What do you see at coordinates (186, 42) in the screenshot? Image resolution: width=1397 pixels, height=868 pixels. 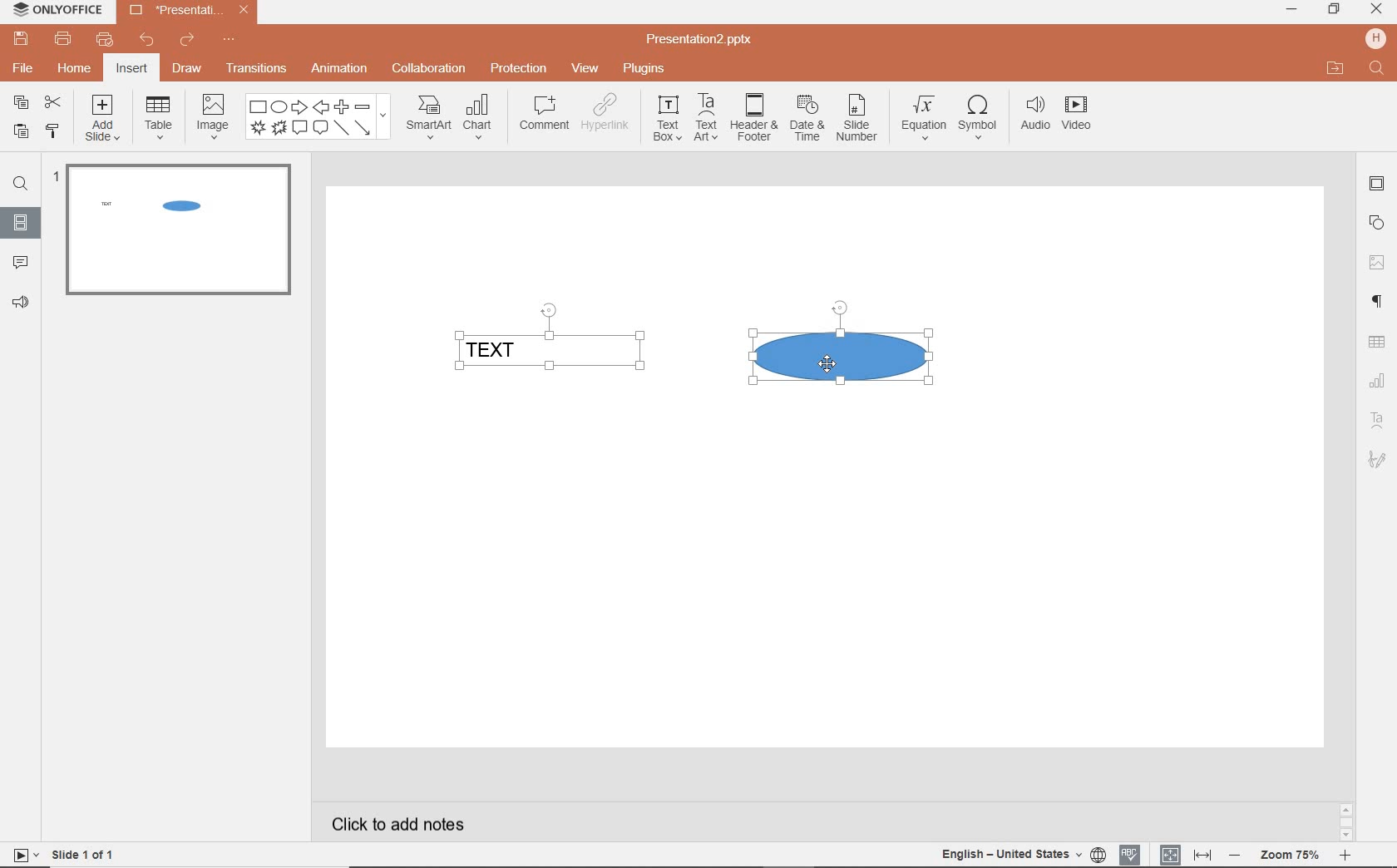 I see `redo` at bounding box center [186, 42].